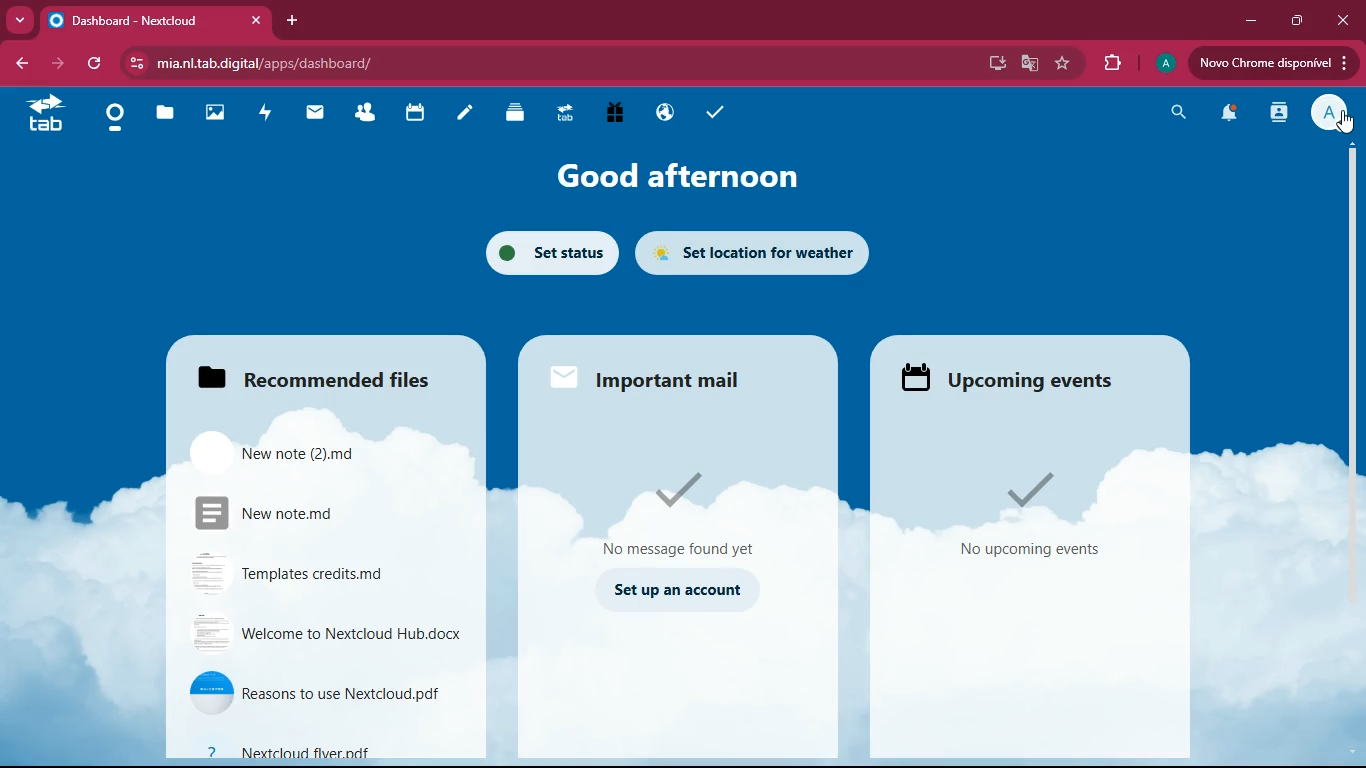 This screenshot has height=768, width=1366. Describe the element at coordinates (1064, 64) in the screenshot. I see `favorite` at that location.